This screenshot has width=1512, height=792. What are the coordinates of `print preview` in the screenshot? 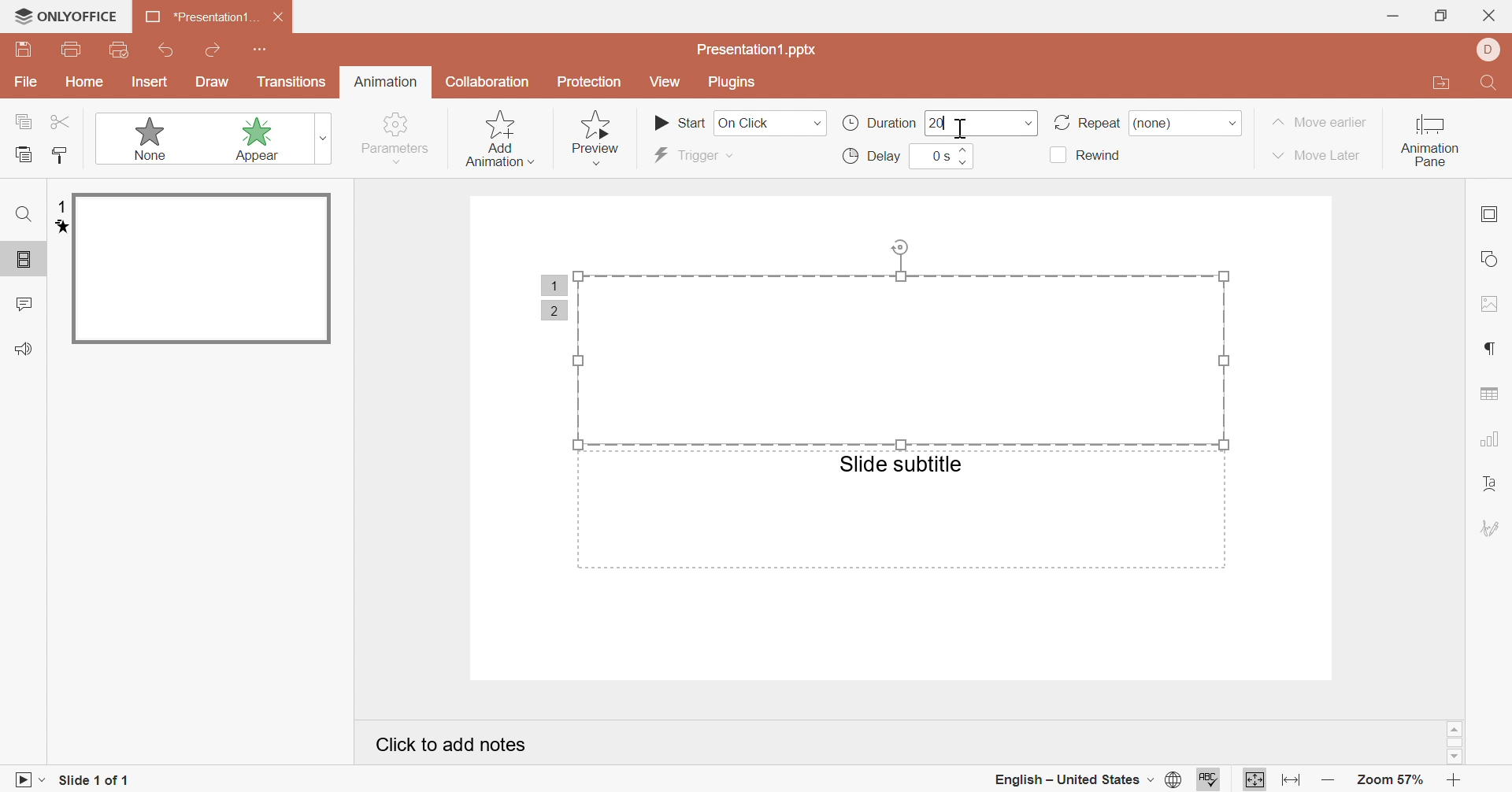 It's located at (121, 50).